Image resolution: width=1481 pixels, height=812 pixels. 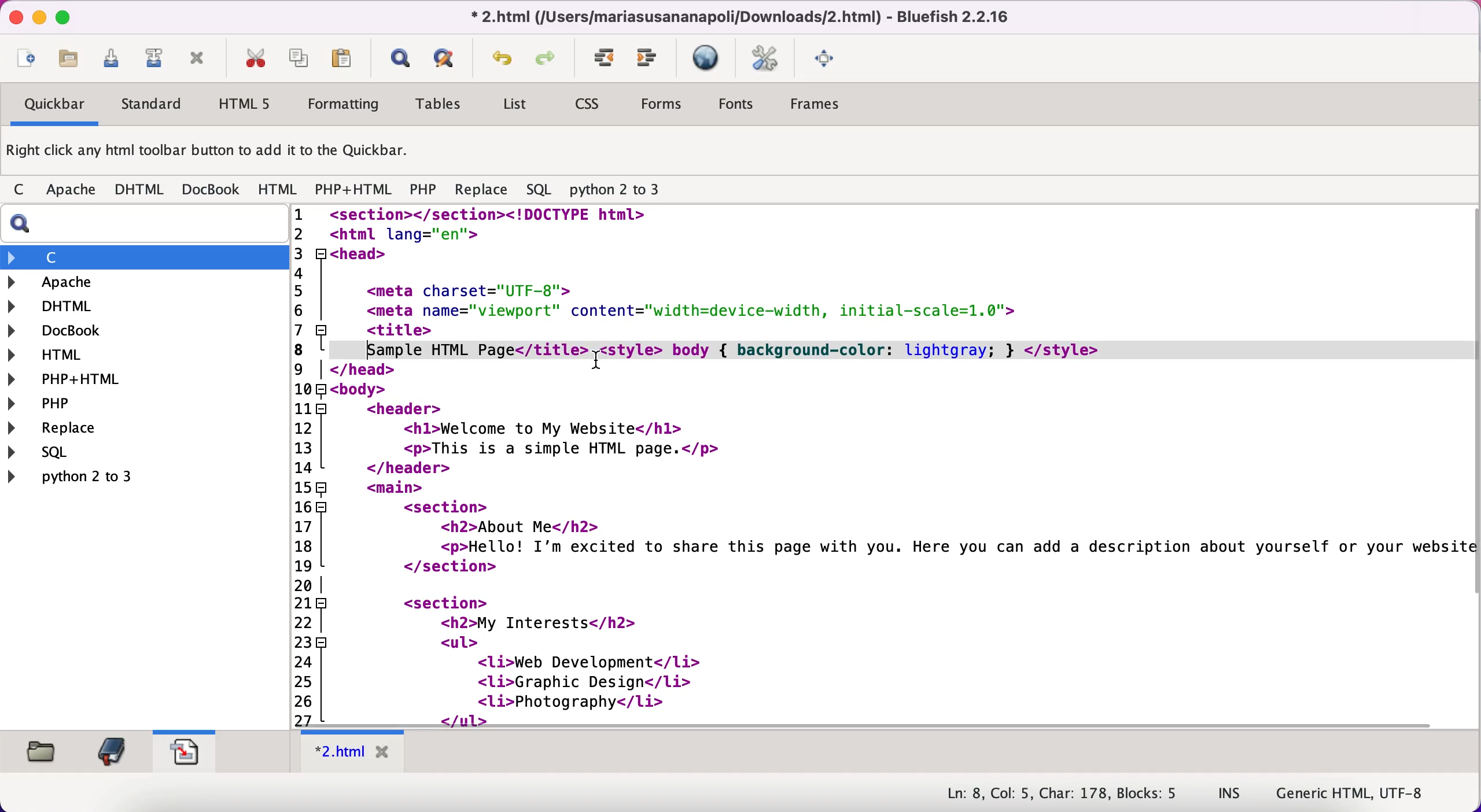 What do you see at coordinates (210, 153) in the screenshot?
I see `right click any html toolbar button to add it to the quickbar.` at bounding box center [210, 153].